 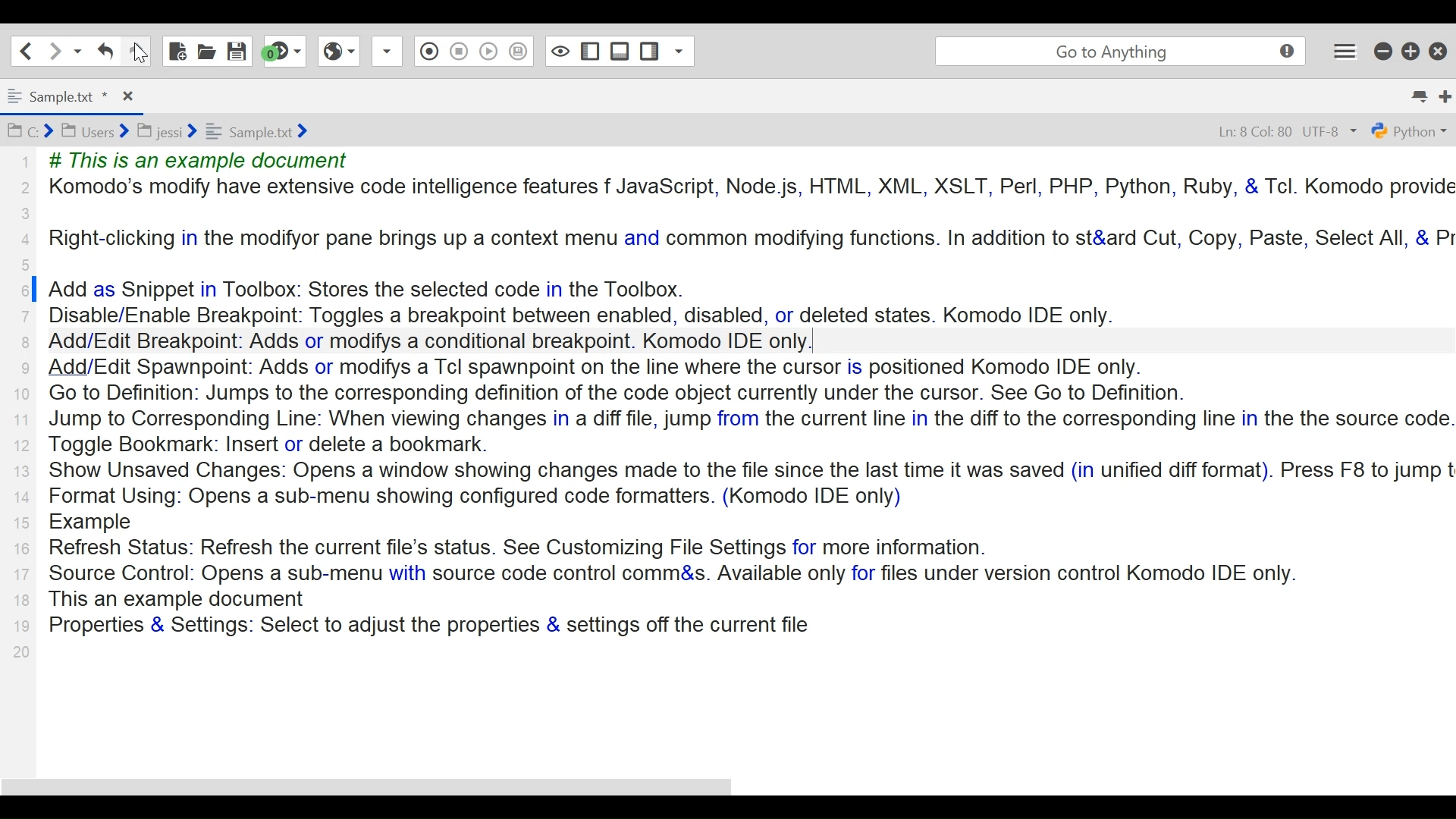 What do you see at coordinates (1119, 52) in the screenshot?
I see `Search` at bounding box center [1119, 52].